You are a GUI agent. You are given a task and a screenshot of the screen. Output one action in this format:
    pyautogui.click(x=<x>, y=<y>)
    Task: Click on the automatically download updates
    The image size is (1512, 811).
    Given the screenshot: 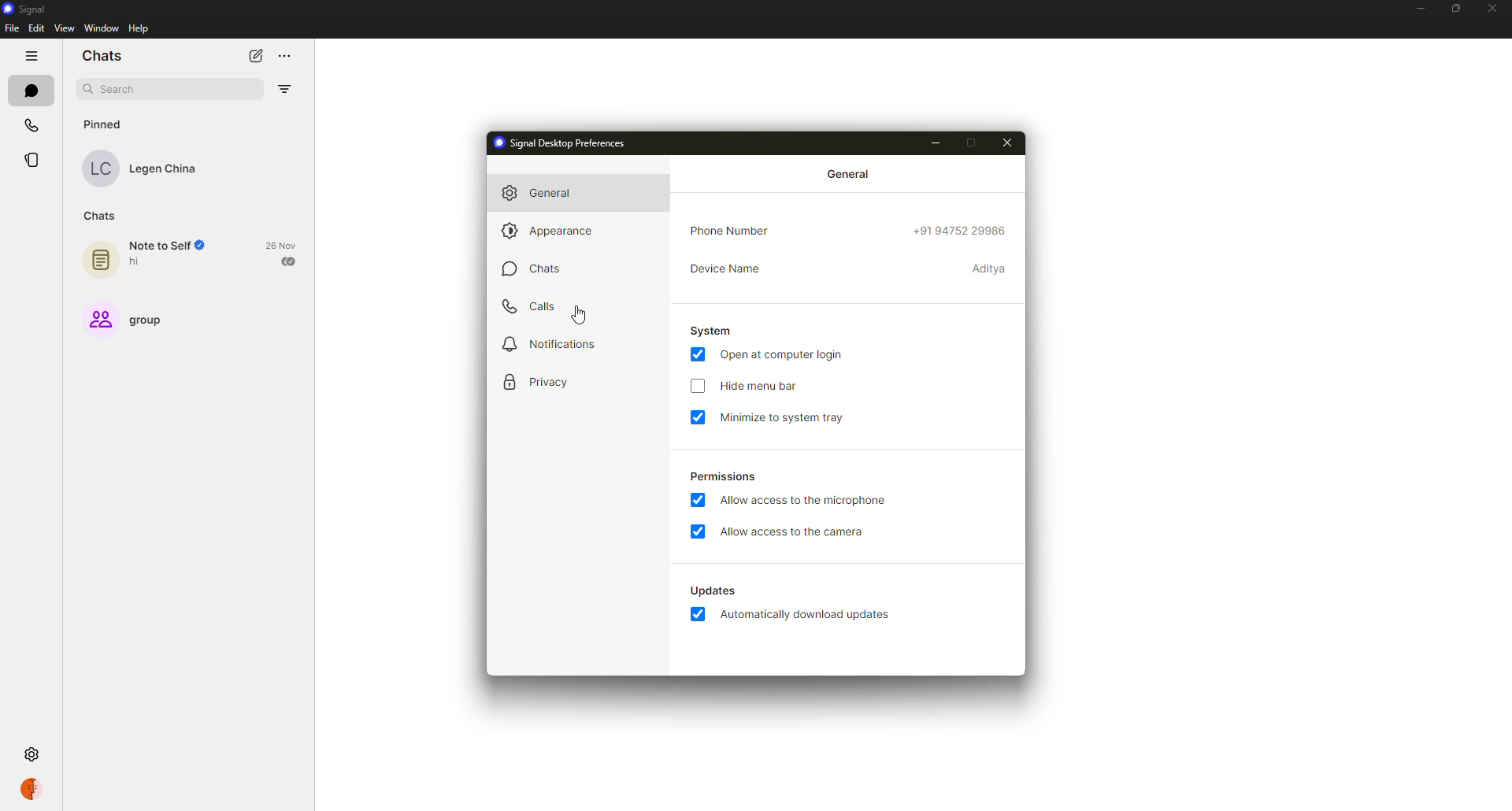 What is the action you would take?
    pyautogui.click(x=711, y=591)
    